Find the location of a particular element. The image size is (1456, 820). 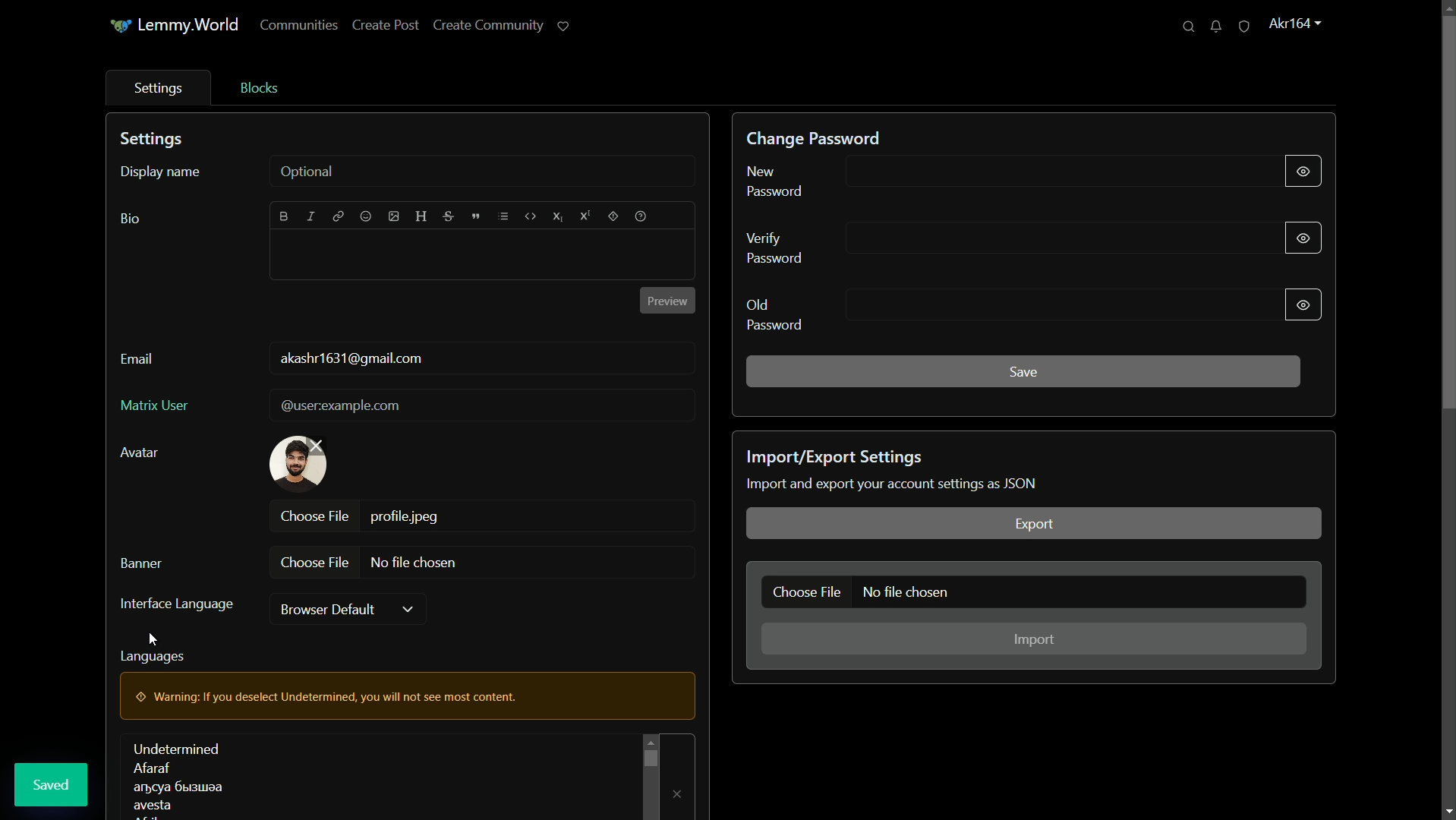

settings is located at coordinates (155, 140).